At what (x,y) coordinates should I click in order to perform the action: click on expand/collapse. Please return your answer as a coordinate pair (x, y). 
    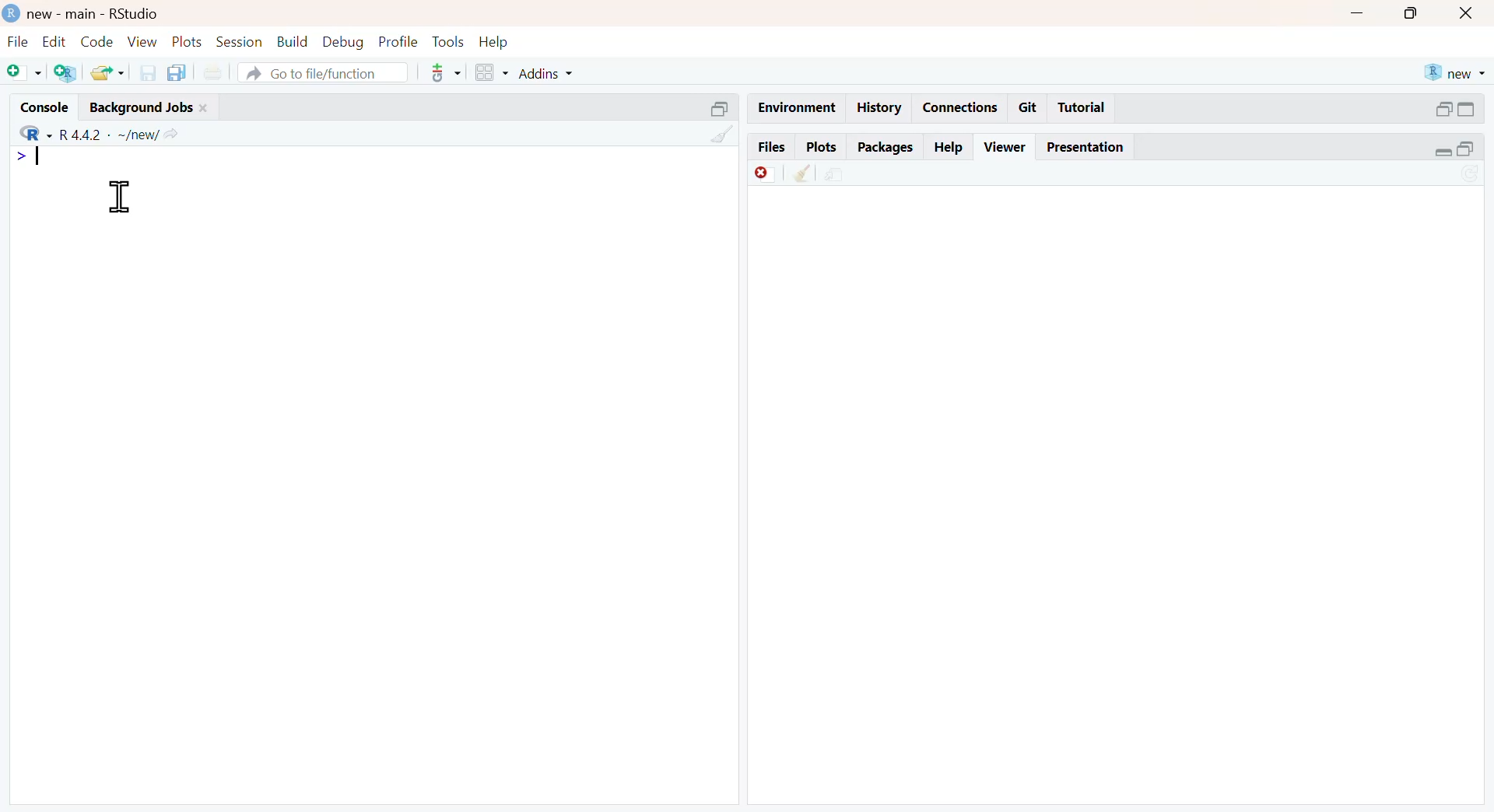
    Looking at the image, I should click on (1443, 152).